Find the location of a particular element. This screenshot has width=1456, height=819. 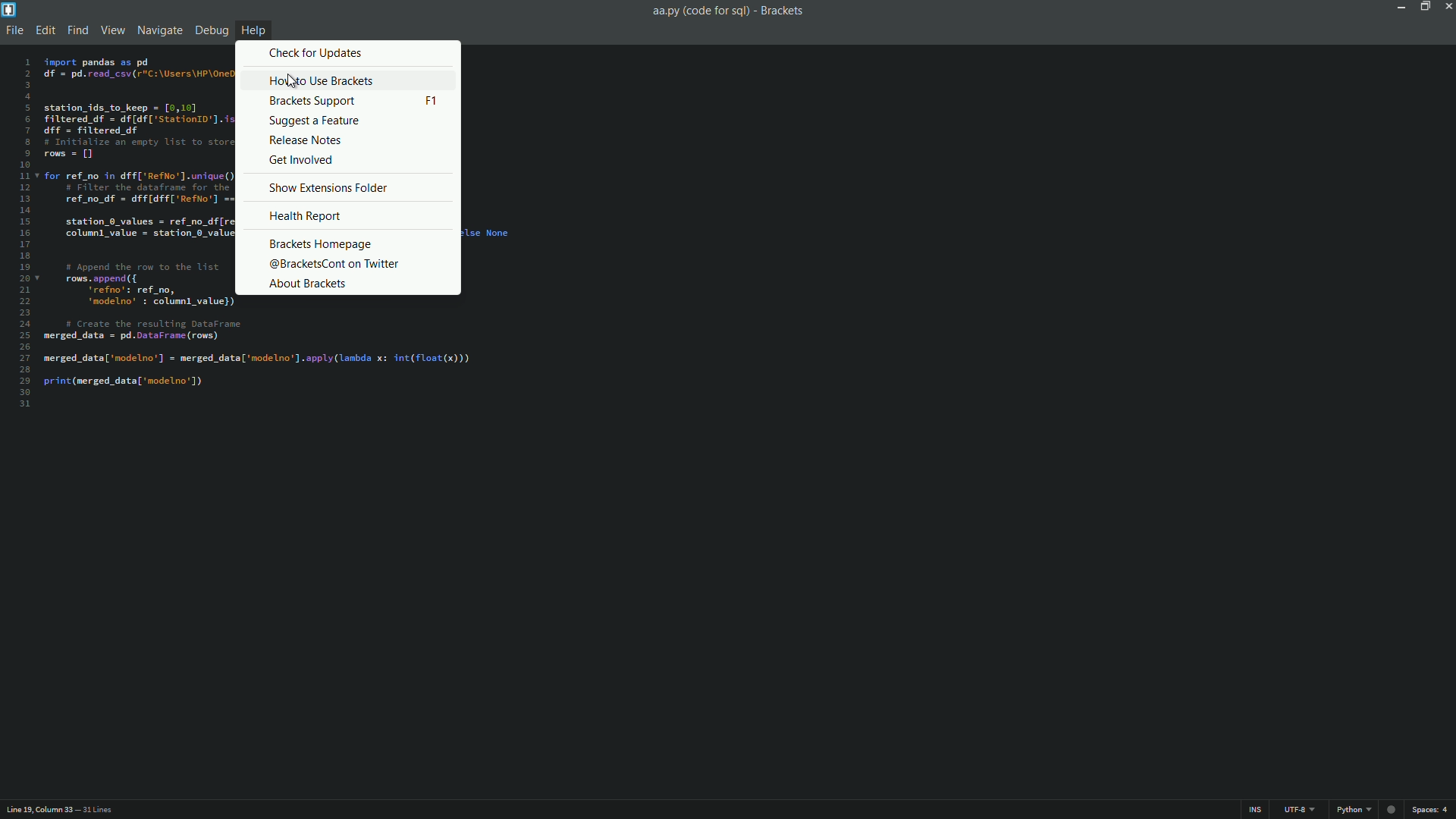

maximize is located at coordinates (1425, 7).